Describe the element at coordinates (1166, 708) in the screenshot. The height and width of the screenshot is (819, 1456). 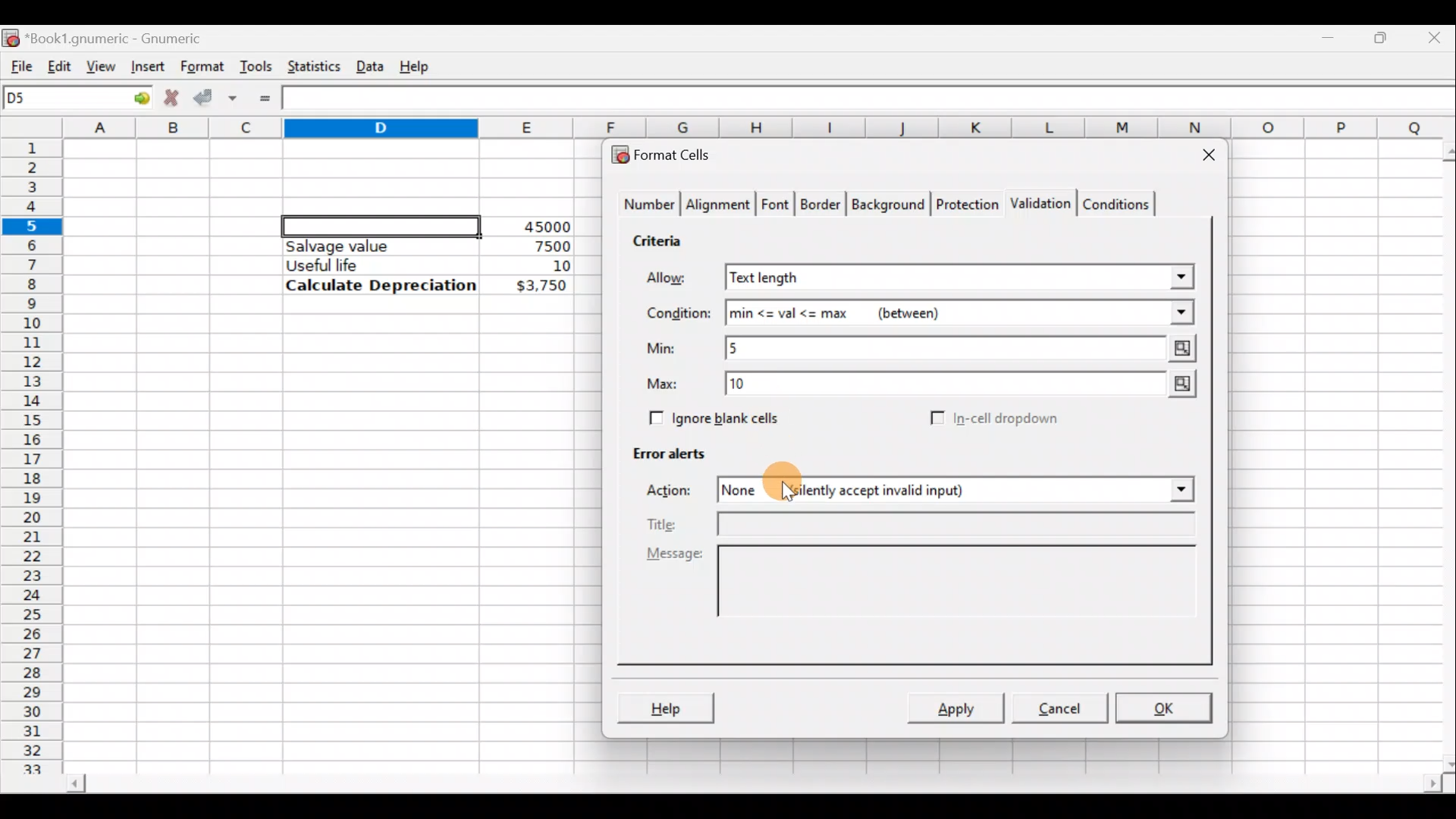
I see `OK` at that location.